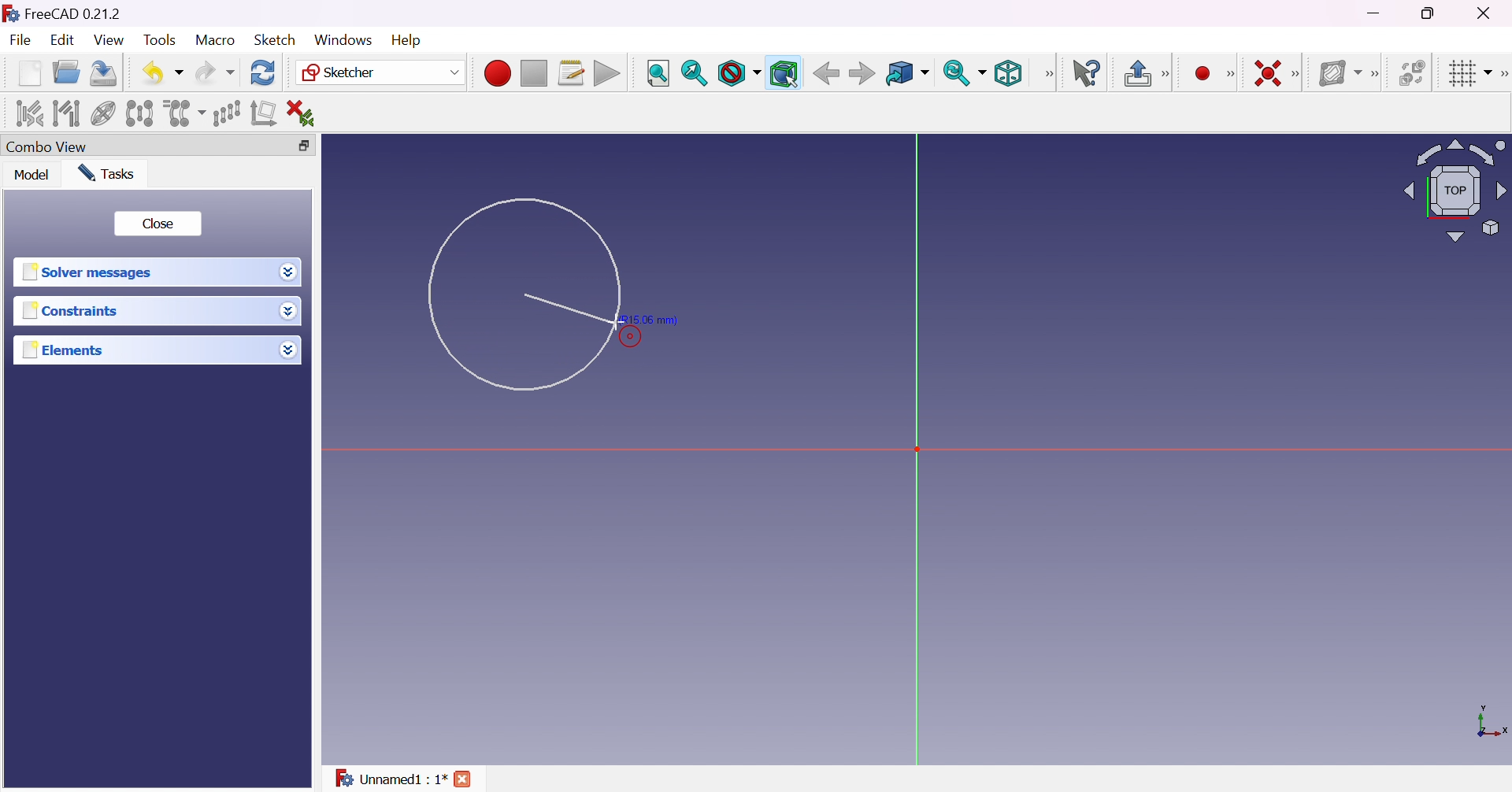 This screenshot has width=1512, height=792. What do you see at coordinates (288, 350) in the screenshot?
I see `Drop down` at bounding box center [288, 350].